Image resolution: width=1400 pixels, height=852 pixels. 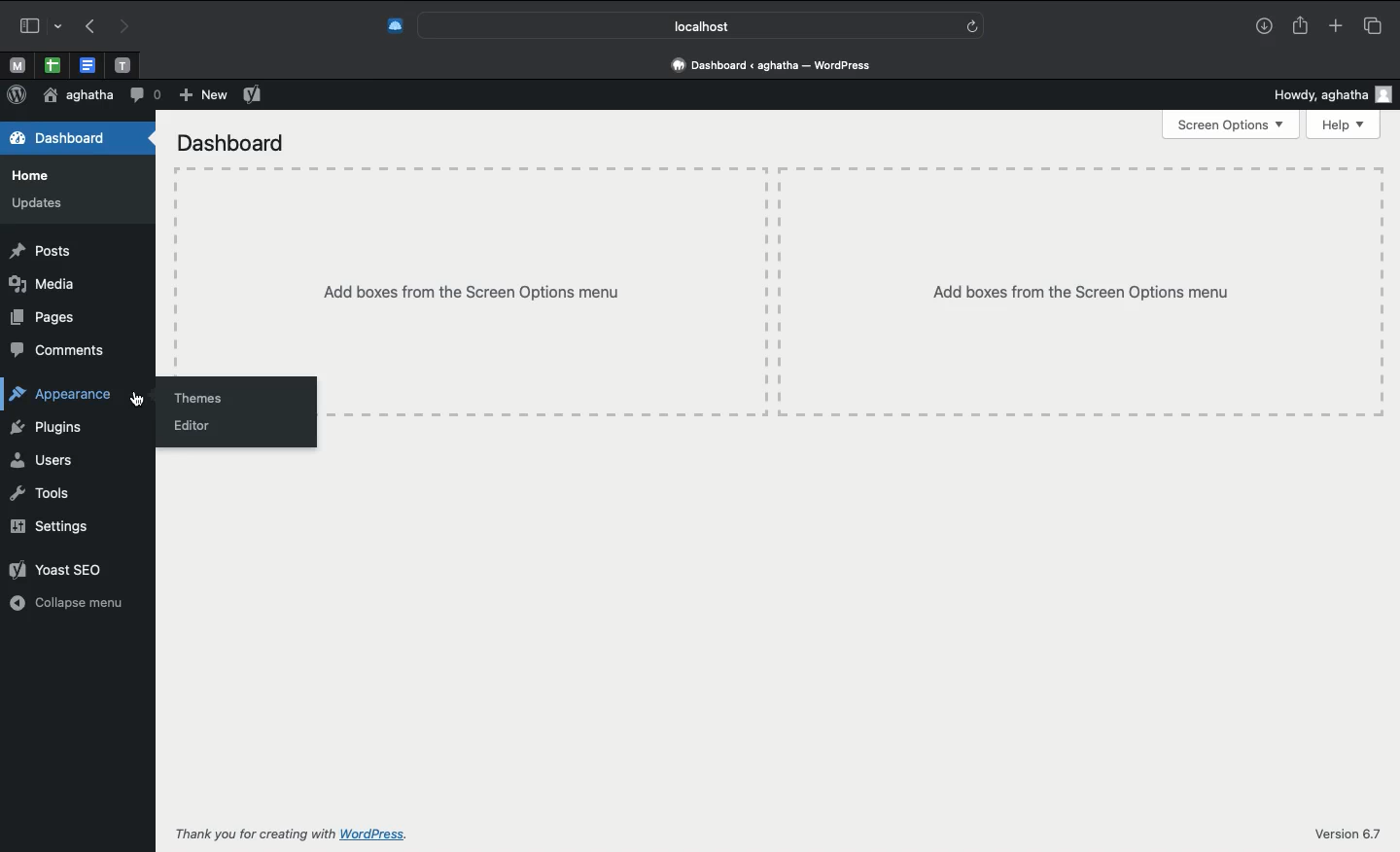 What do you see at coordinates (43, 462) in the screenshot?
I see `Users` at bounding box center [43, 462].